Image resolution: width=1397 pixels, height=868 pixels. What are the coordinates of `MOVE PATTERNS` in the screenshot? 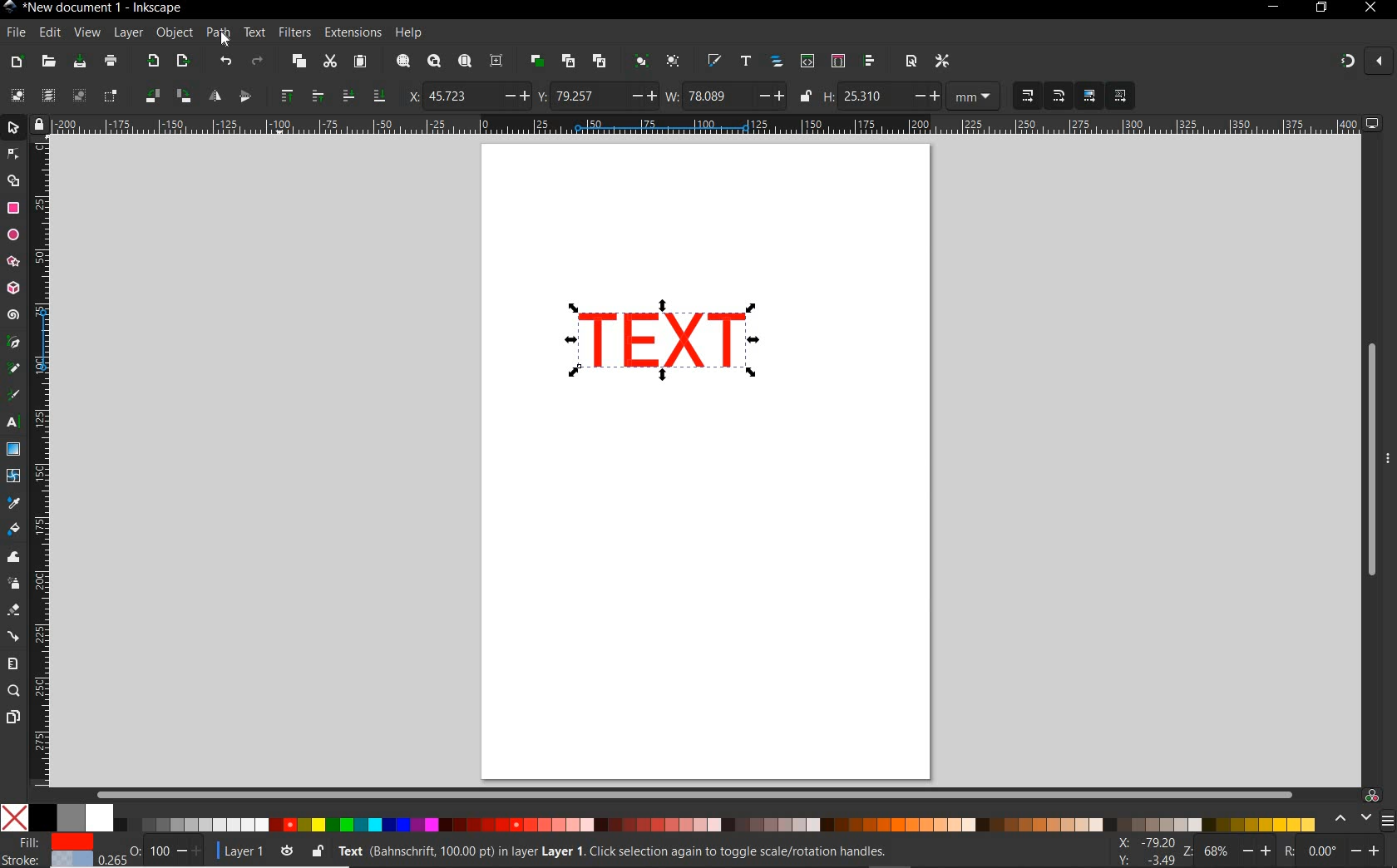 It's located at (1119, 96).